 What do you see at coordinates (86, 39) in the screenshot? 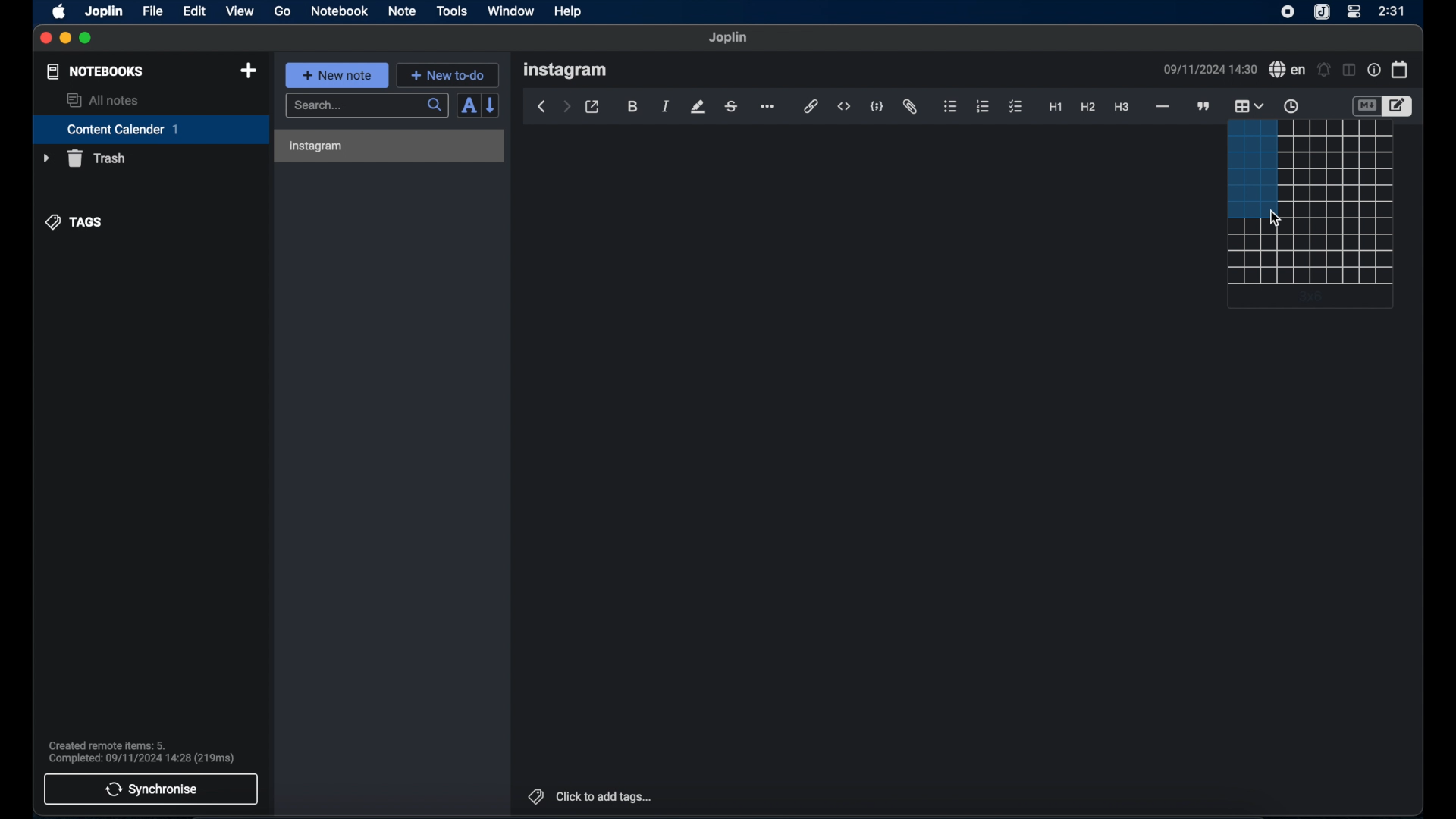
I see `maximize` at bounding box center [86, 39].